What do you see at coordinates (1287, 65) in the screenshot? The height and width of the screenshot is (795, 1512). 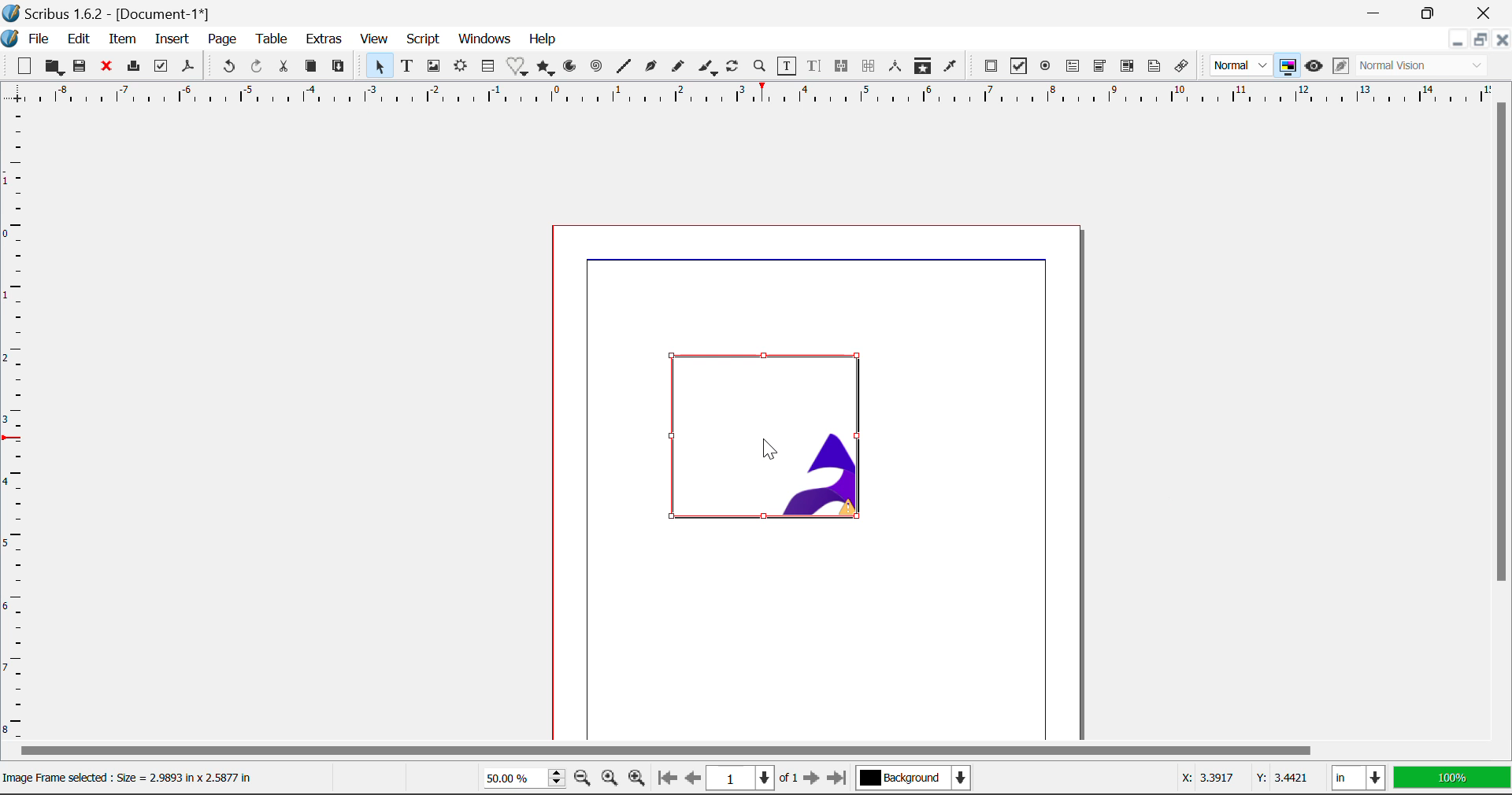 I see `Toggle Color Management` at bounding box center [1287, 65].